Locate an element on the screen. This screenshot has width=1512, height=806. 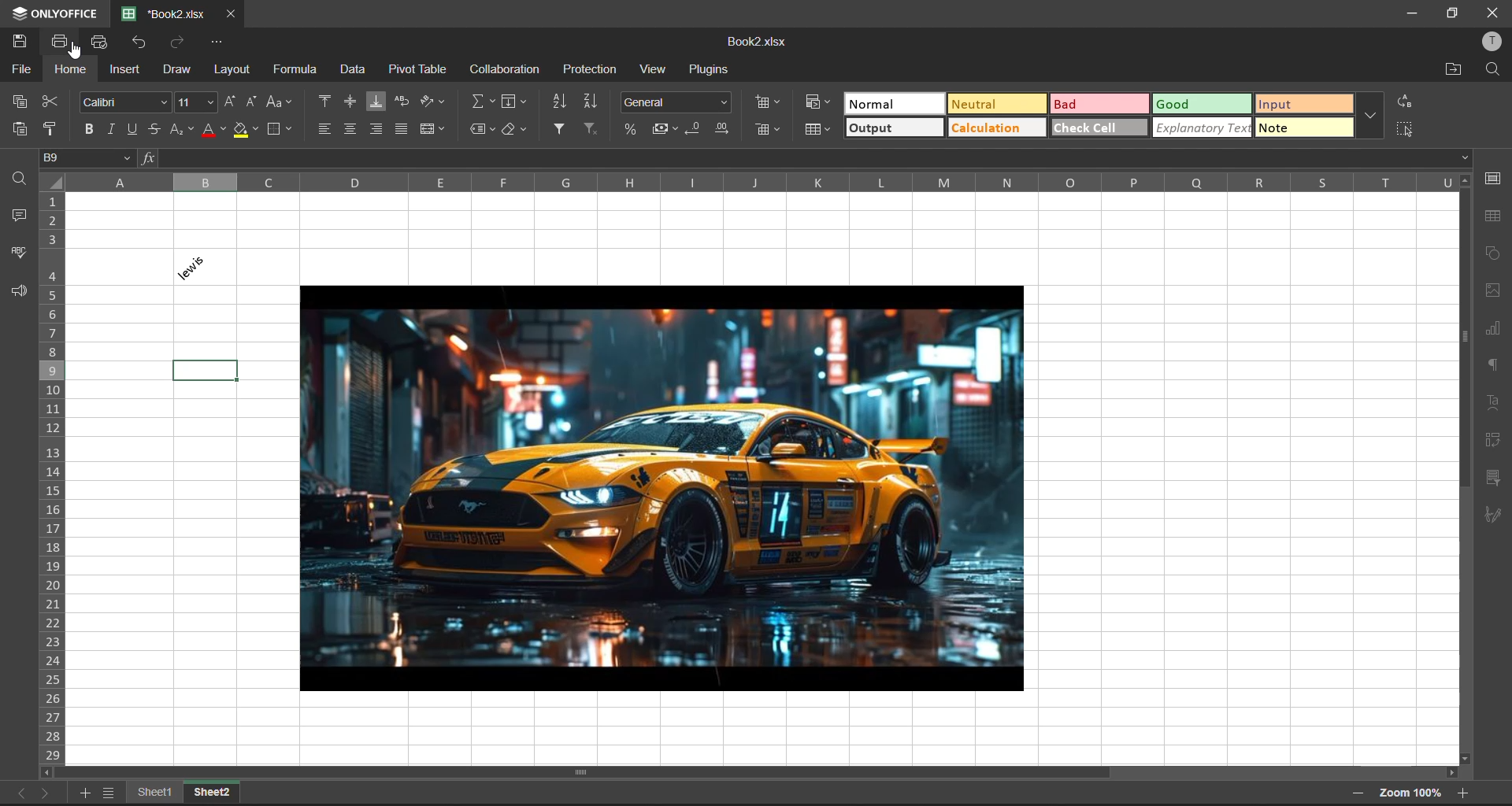
next is located at coordinates (48, 794).